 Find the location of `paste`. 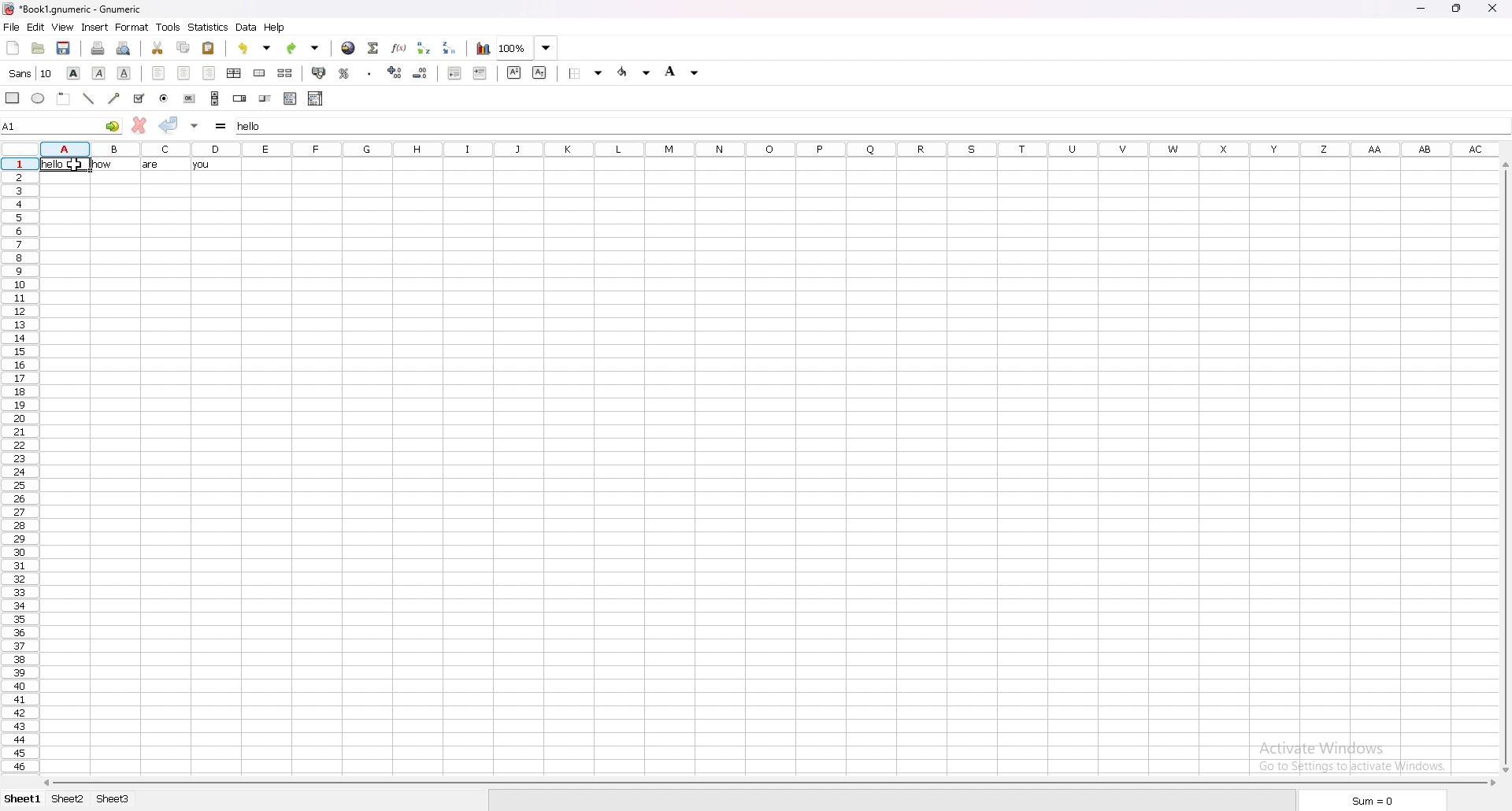

paste is located at coordinates (209, 47).